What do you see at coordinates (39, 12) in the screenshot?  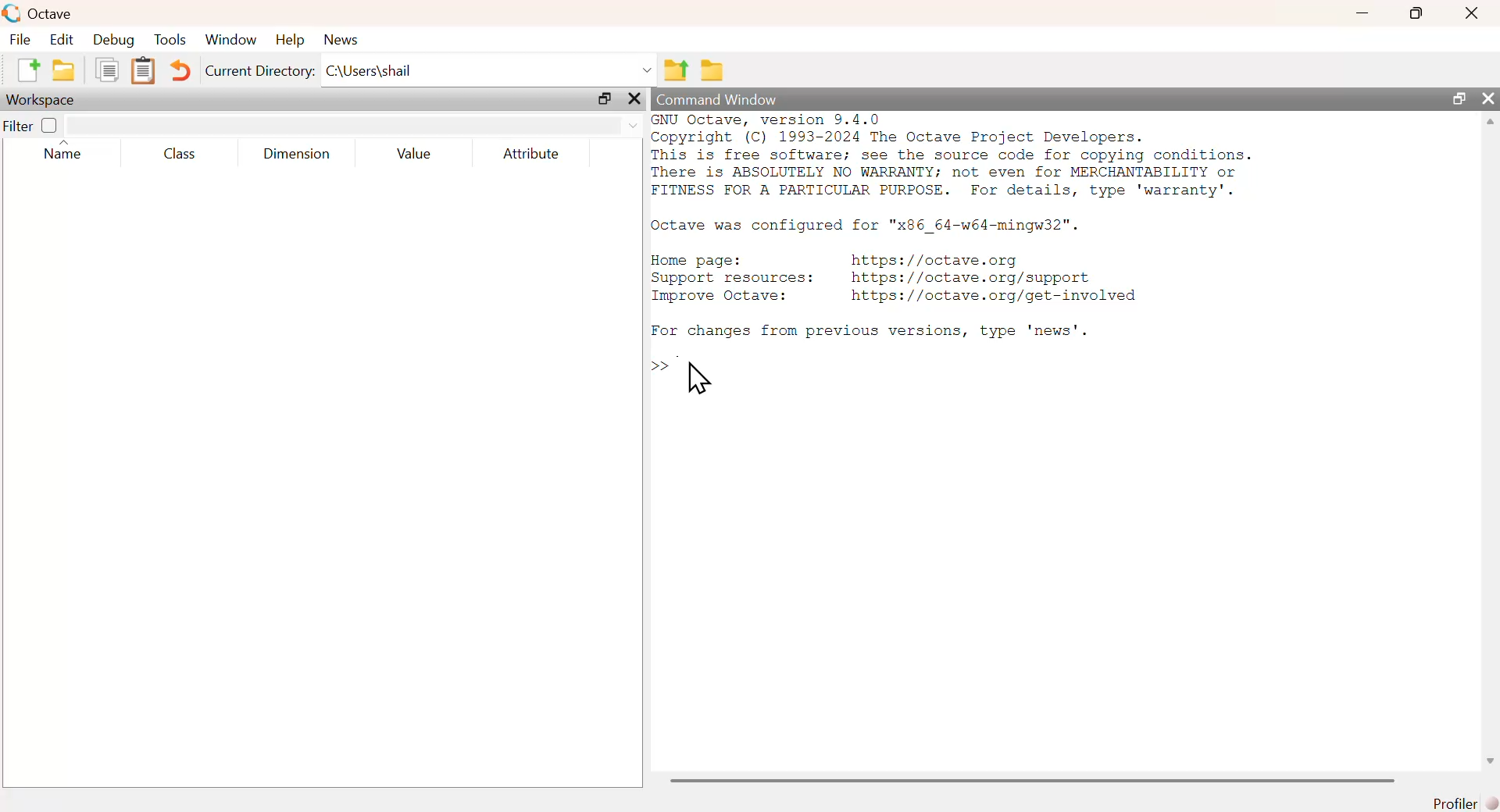 I see `octave` at bounding box center [39, 12].